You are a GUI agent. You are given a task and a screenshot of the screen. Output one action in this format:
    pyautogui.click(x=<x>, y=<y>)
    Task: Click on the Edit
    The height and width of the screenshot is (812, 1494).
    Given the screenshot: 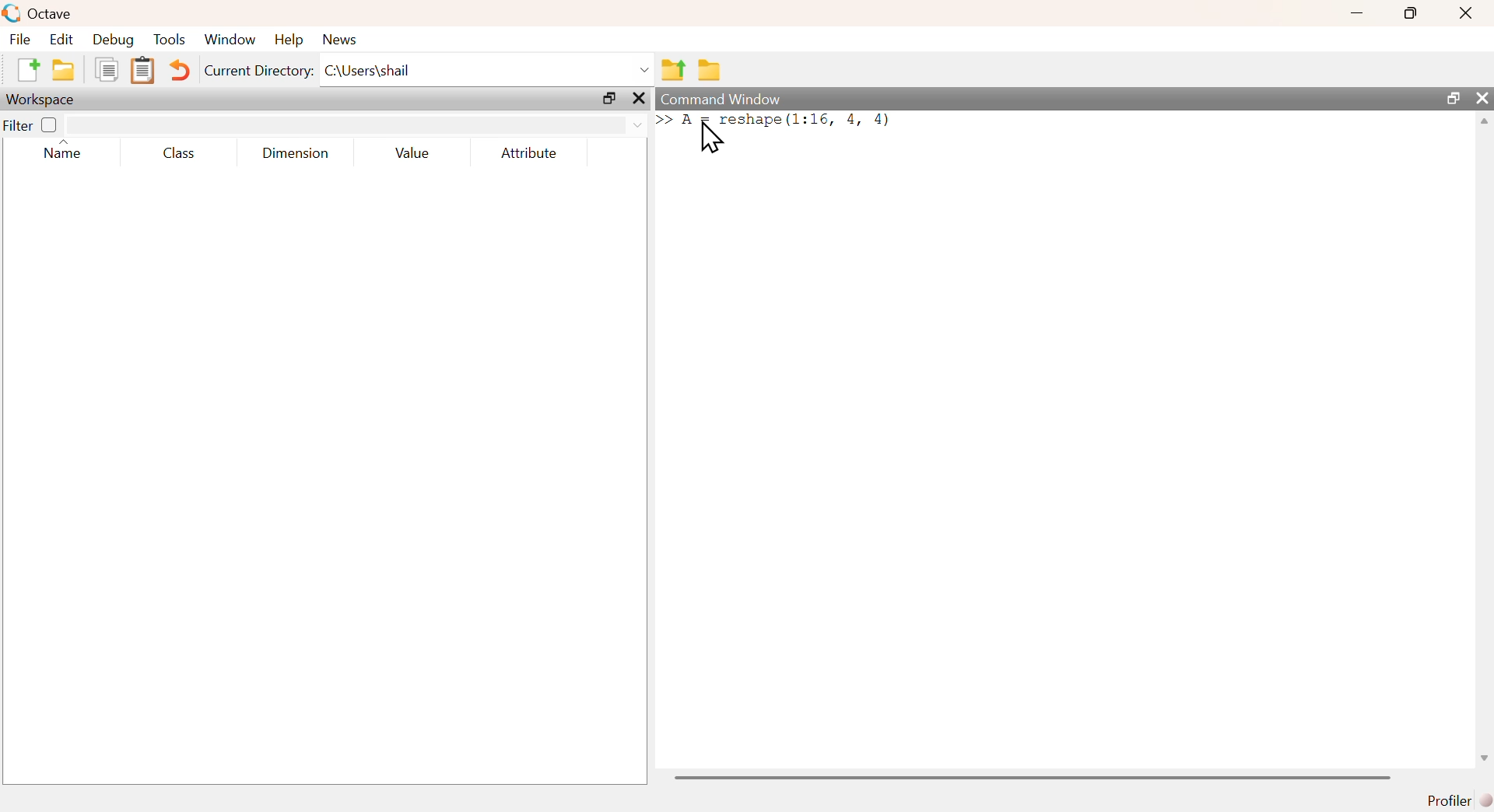 What is the action you would take?
    pyautogui.click(x=63, y=39)
    